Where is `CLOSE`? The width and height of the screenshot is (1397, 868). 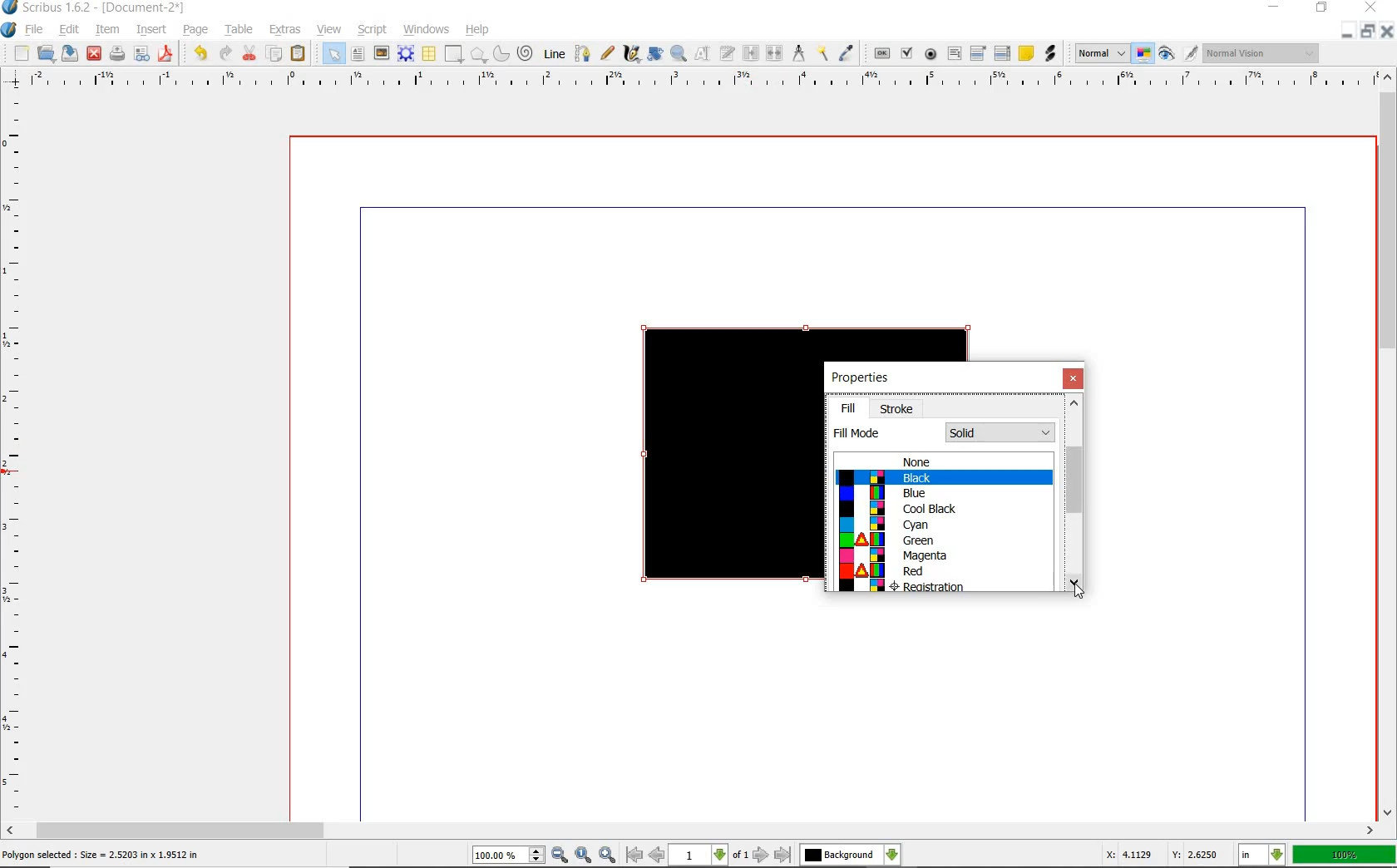 CLOSE is located at coordinates (1385, 33).